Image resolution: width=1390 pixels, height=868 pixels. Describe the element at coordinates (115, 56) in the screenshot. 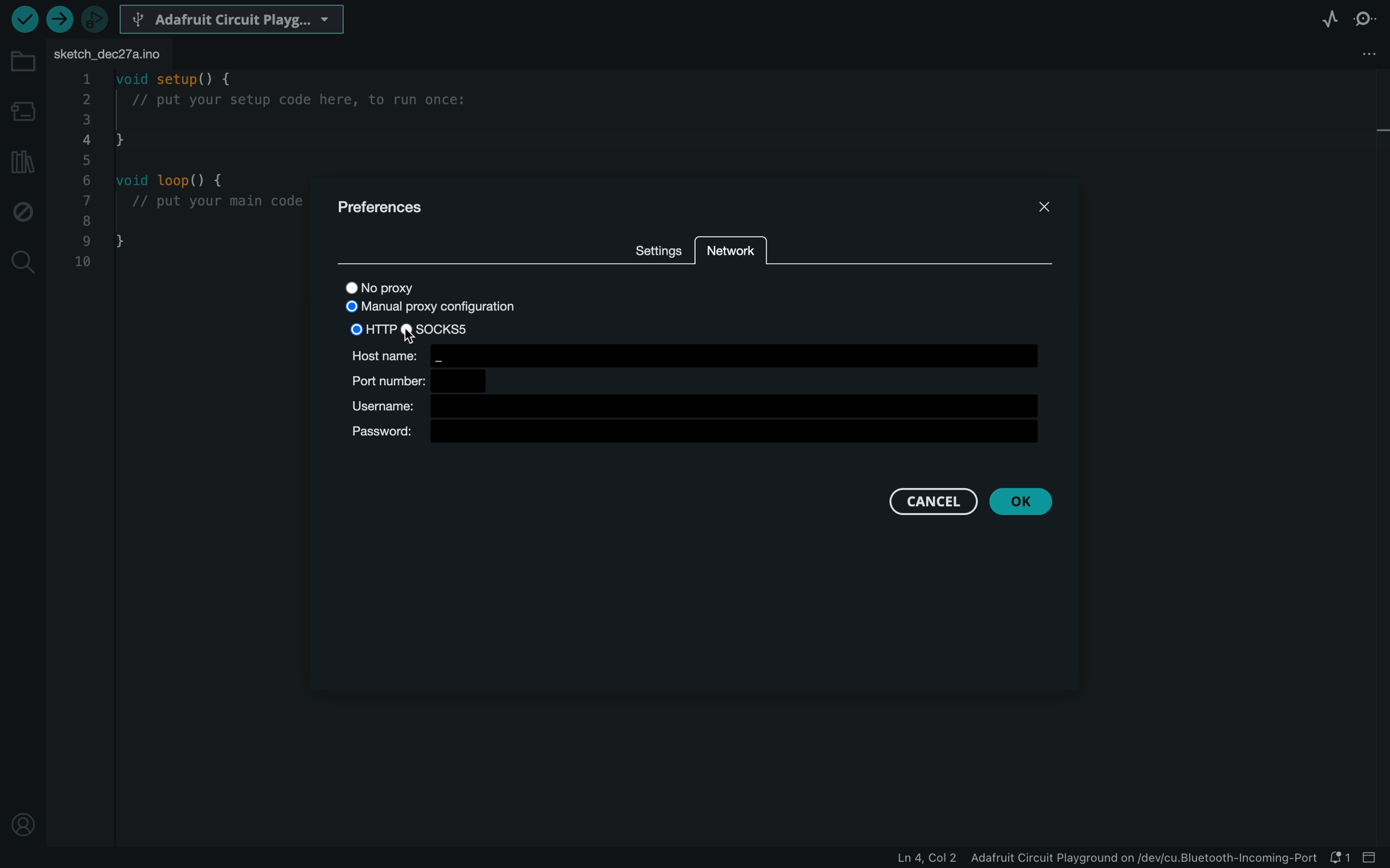

I see `file tab` at that location.